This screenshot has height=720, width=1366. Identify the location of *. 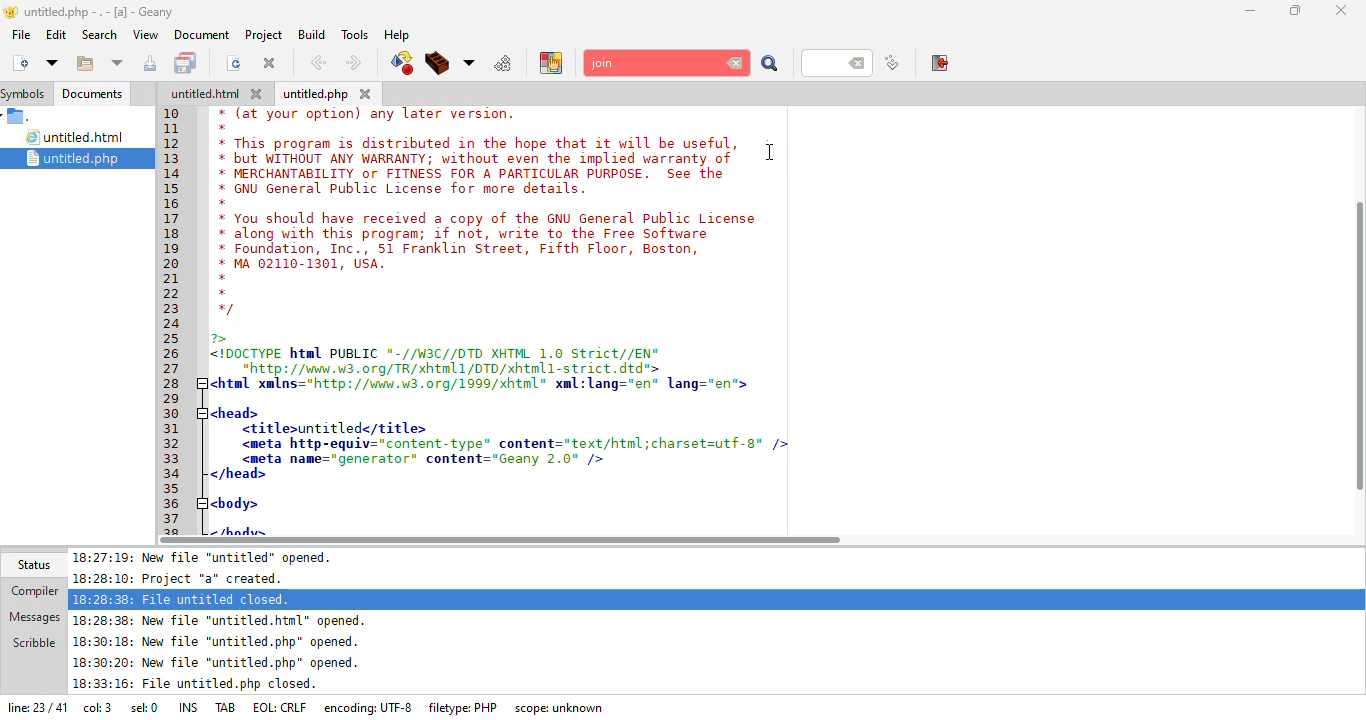
(224, 203).